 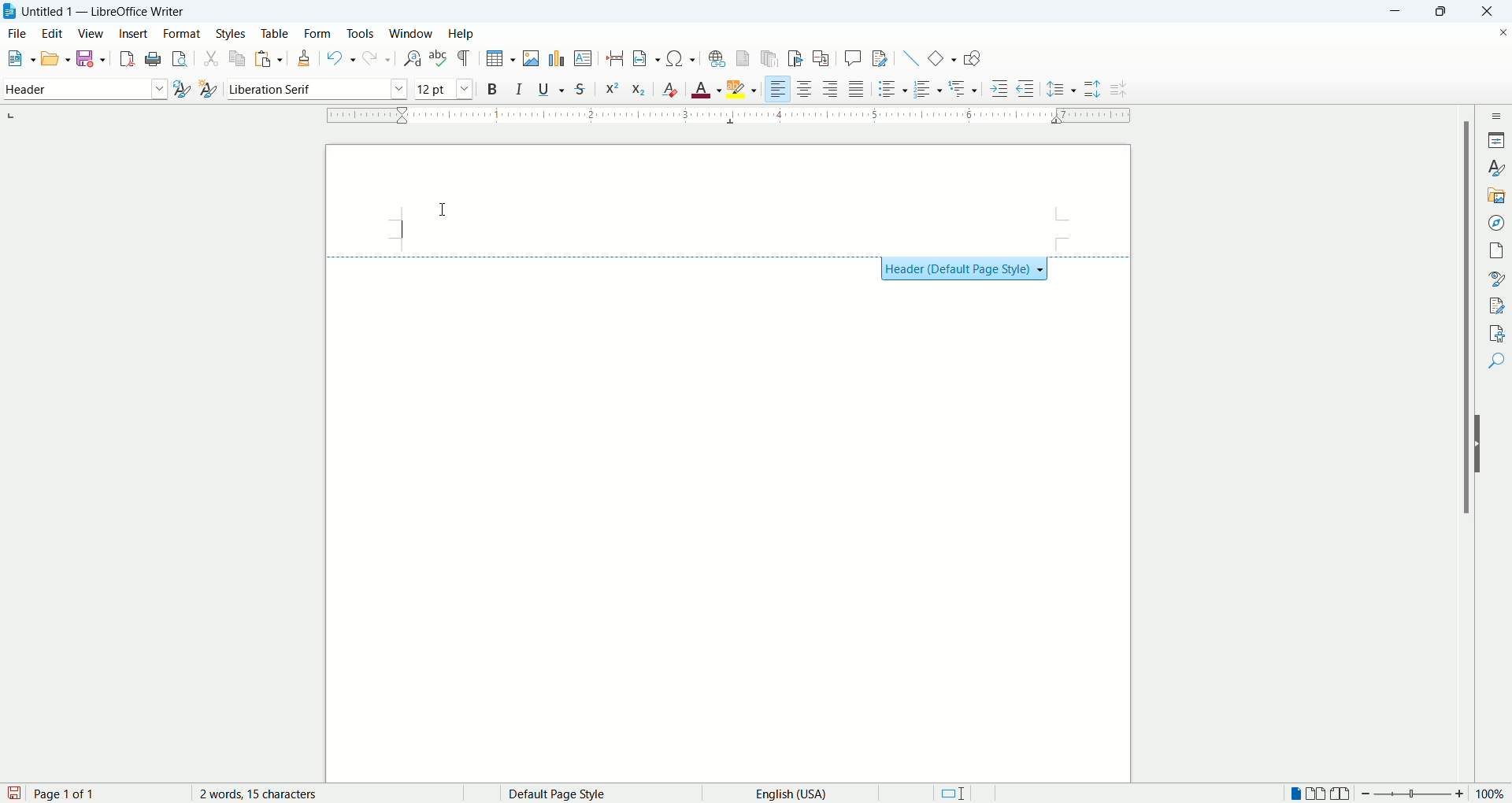 I want to click on outline, so click(x=962, y=89).